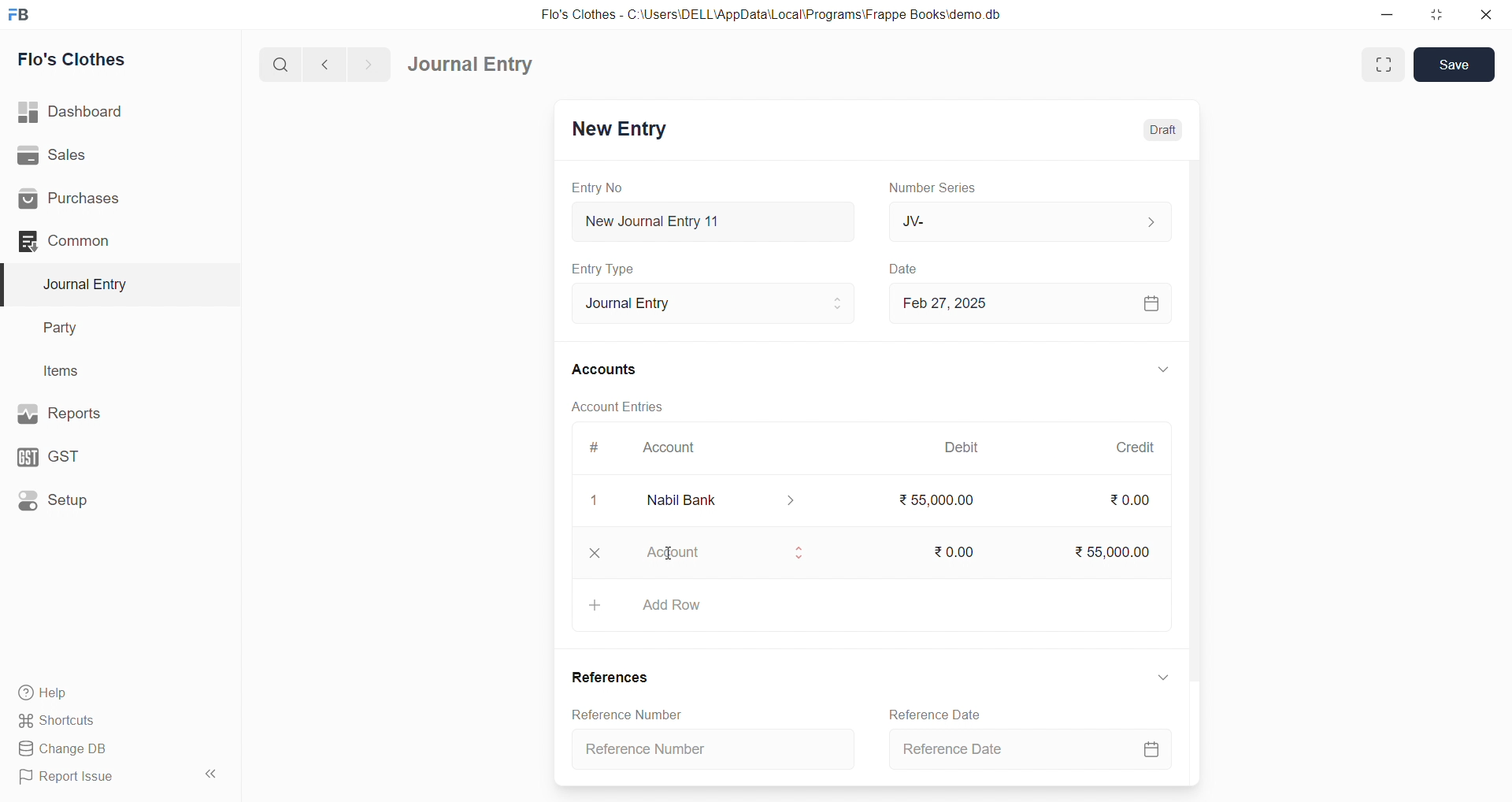 This screenshot has width=1512, height=802. What do you see at coordinates (1132, 500) in the screenshot?
I see `₹0.00` at bounding box center [1132, 500].